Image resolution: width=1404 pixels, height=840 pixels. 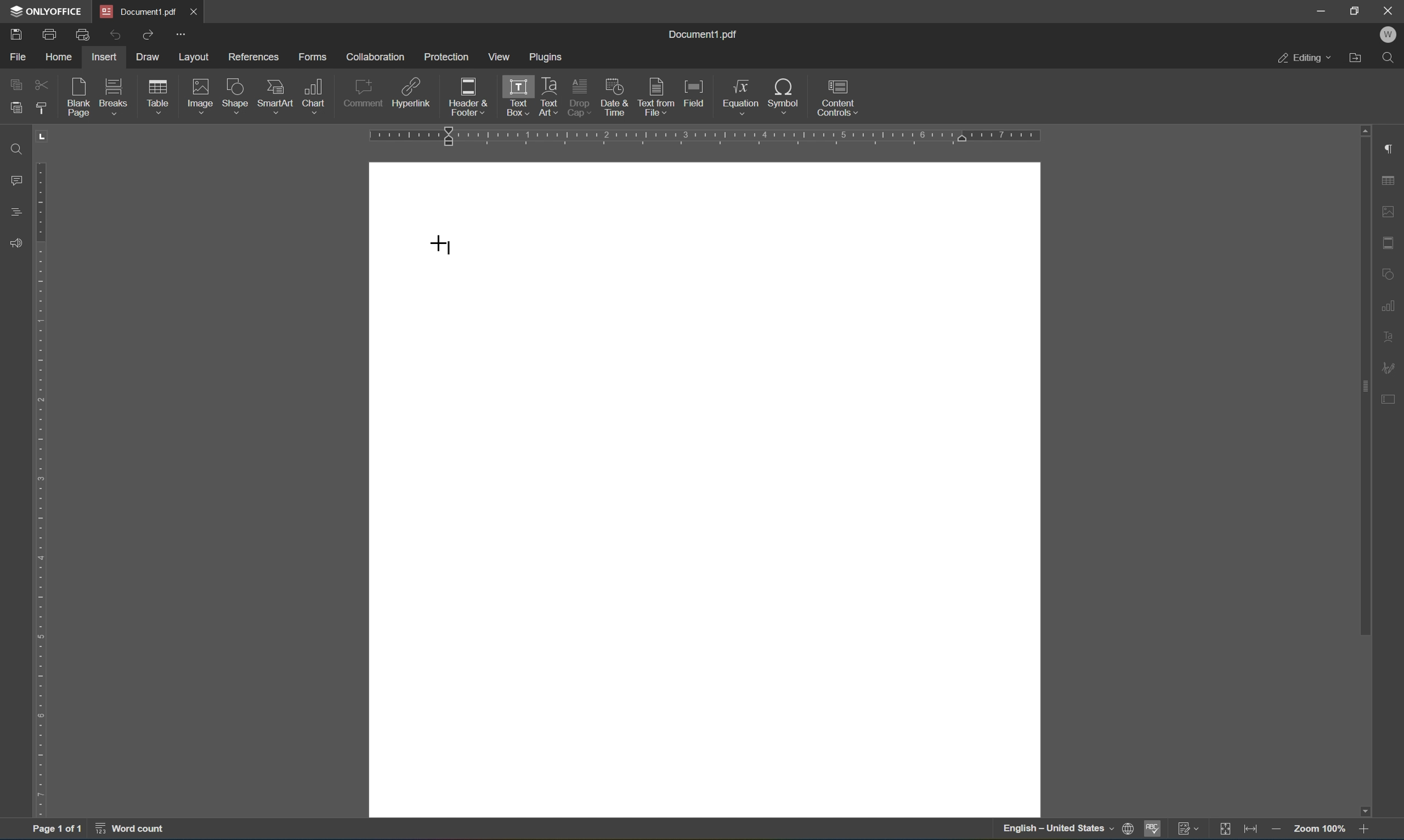 What do you see at coordinates (50, 35) in the screenshot?
I see `Print` at bounding box center [50, 35].